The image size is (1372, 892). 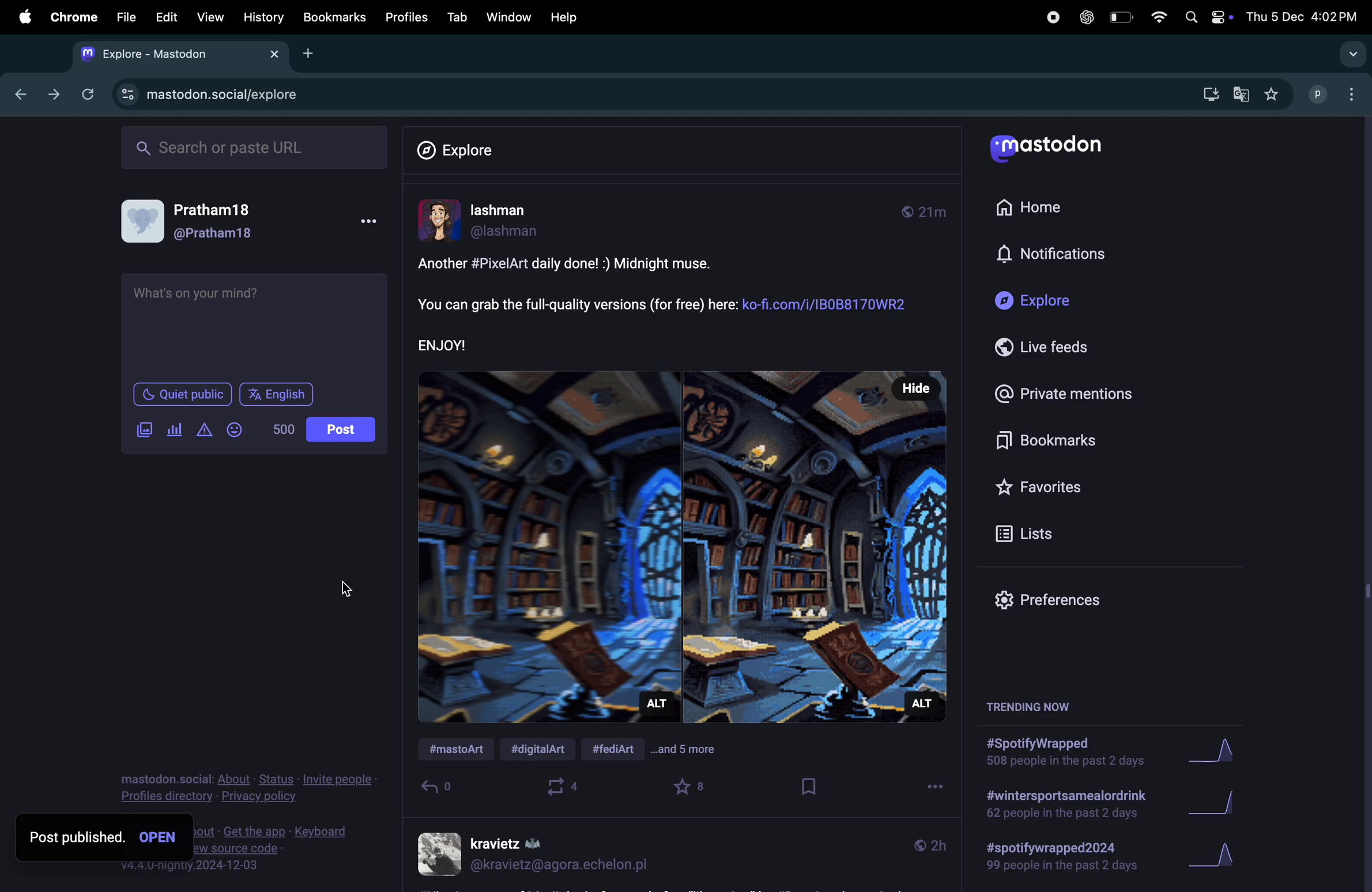 I want to click on search url, so click(x=255, y=149).